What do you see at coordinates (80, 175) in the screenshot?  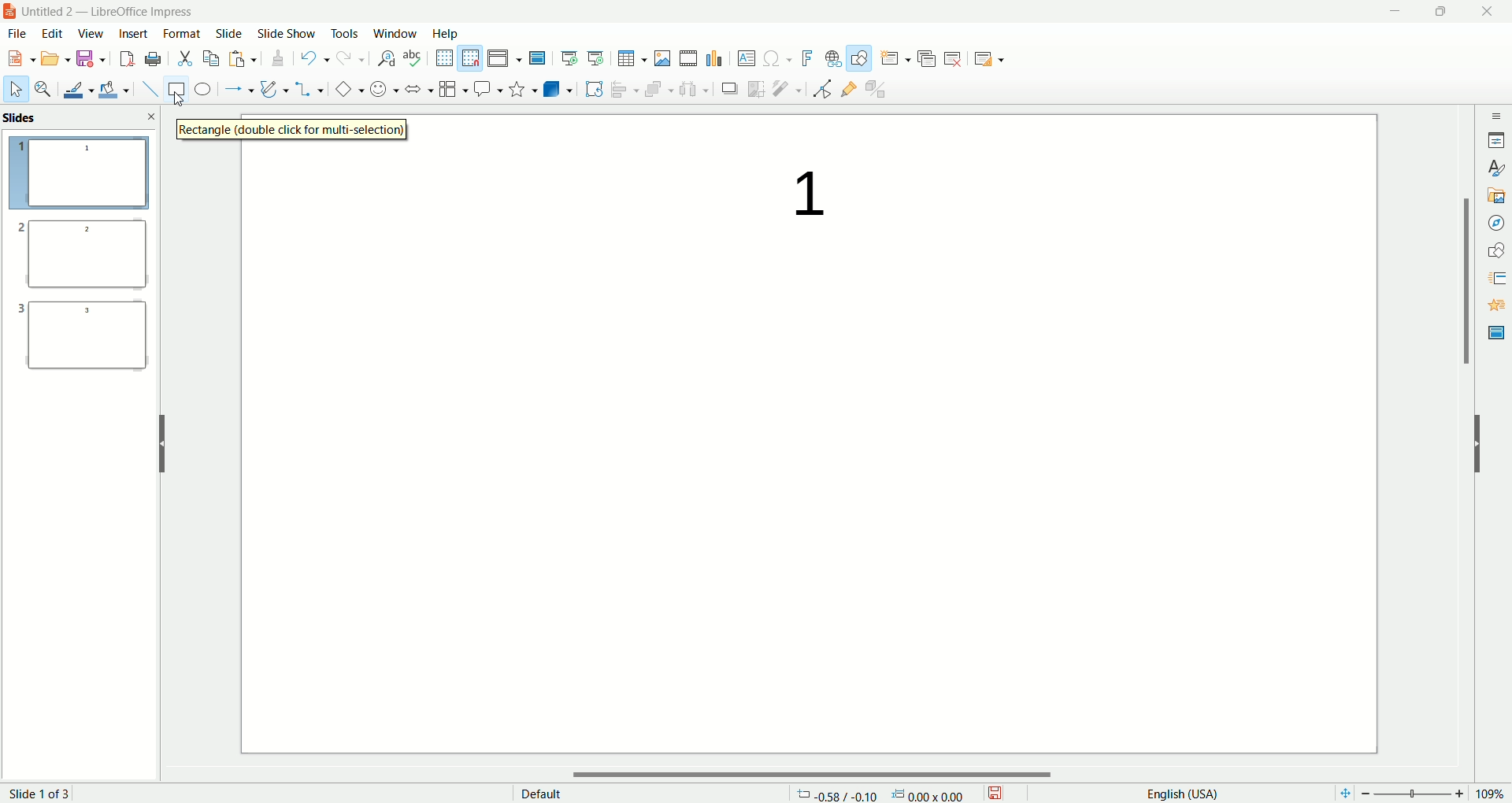 I see `slide 1` at bounding box center [80, 175].